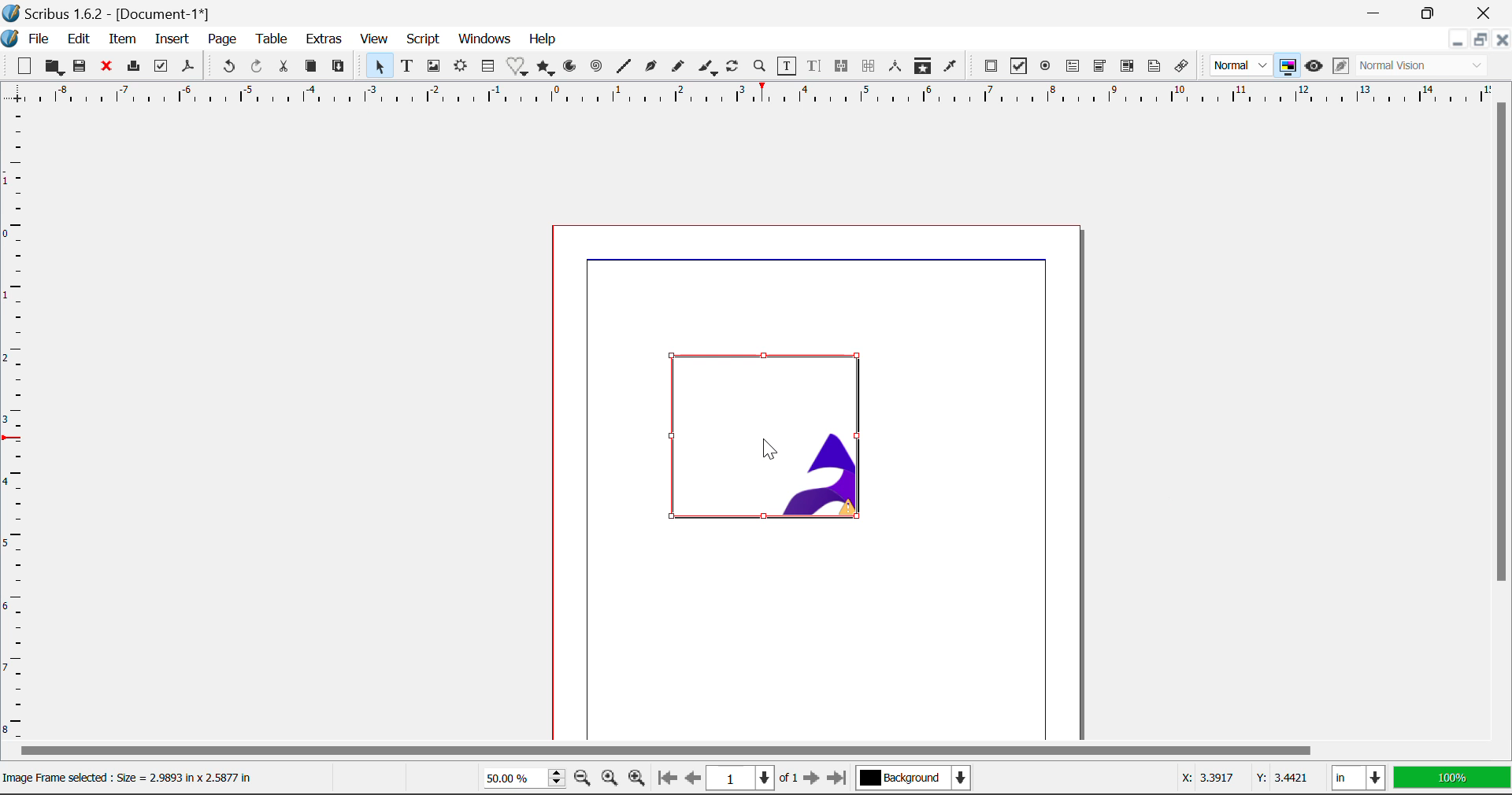 This screenshot has width=1512, height=795. Describe the element at coordinates (1484, 13) in the screenshot. I see `Close` at that location.